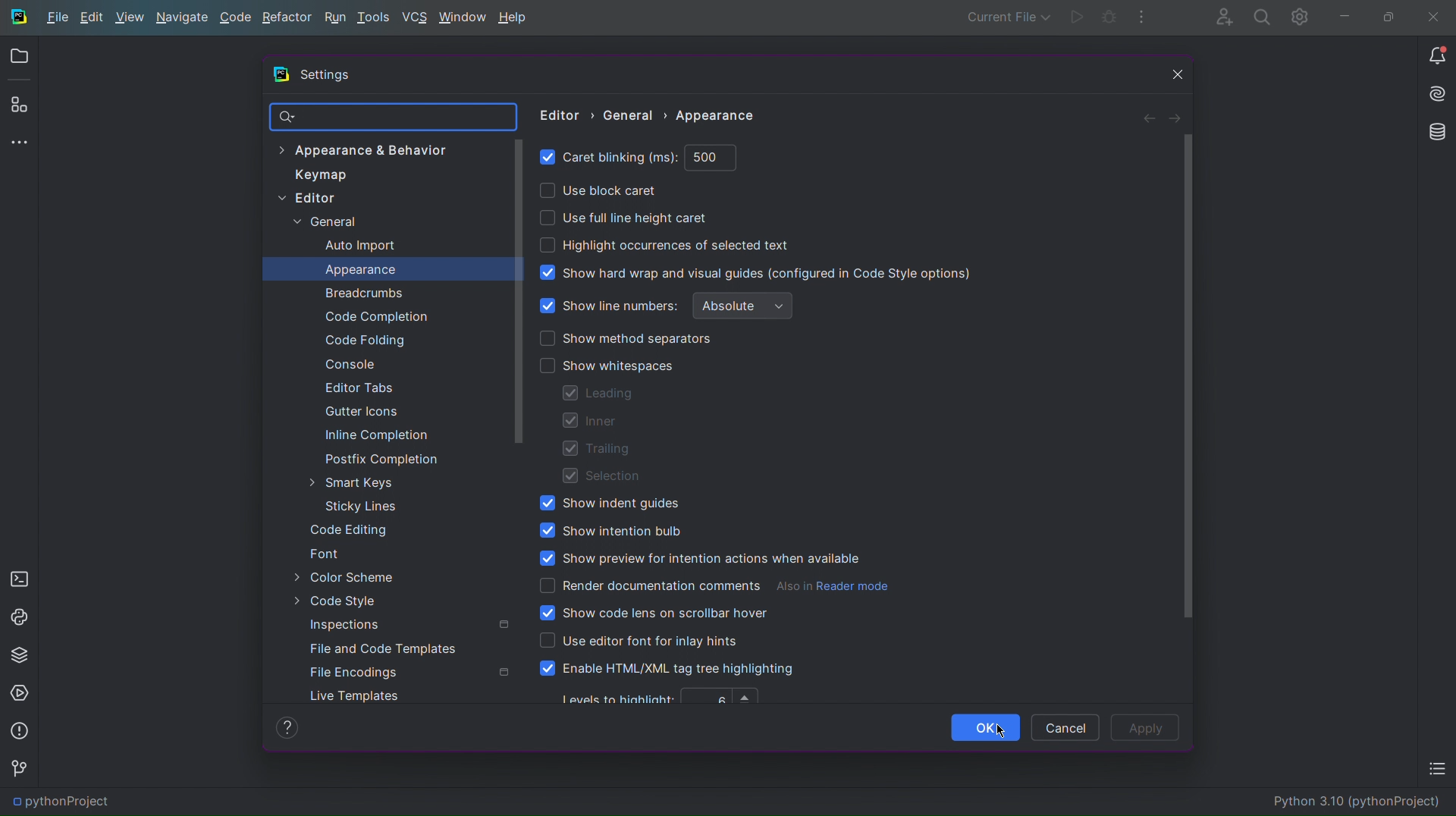  I want to click on Debug, so click(1107, 19).